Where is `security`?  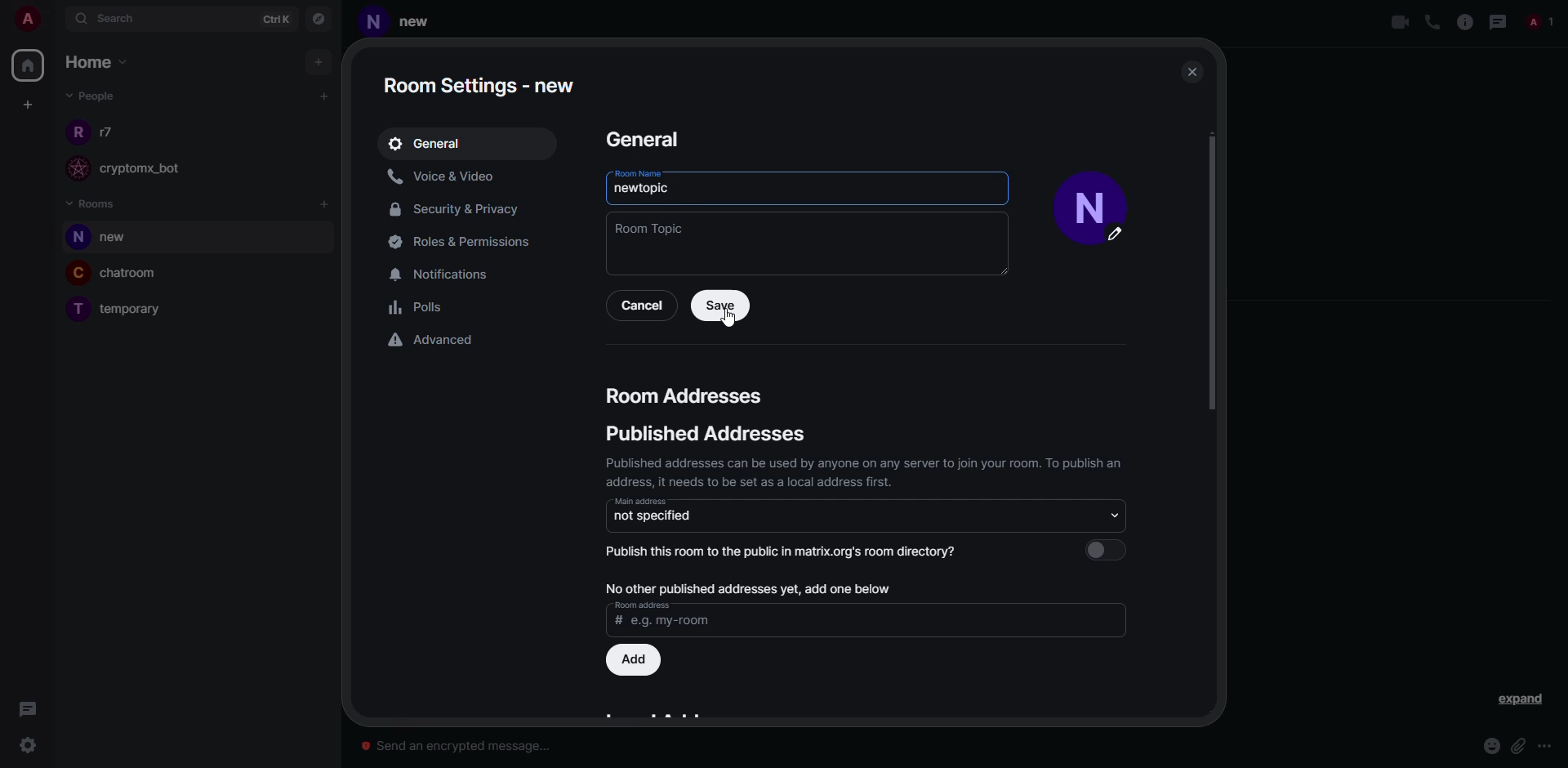
security is located at coordinates (460, 211).